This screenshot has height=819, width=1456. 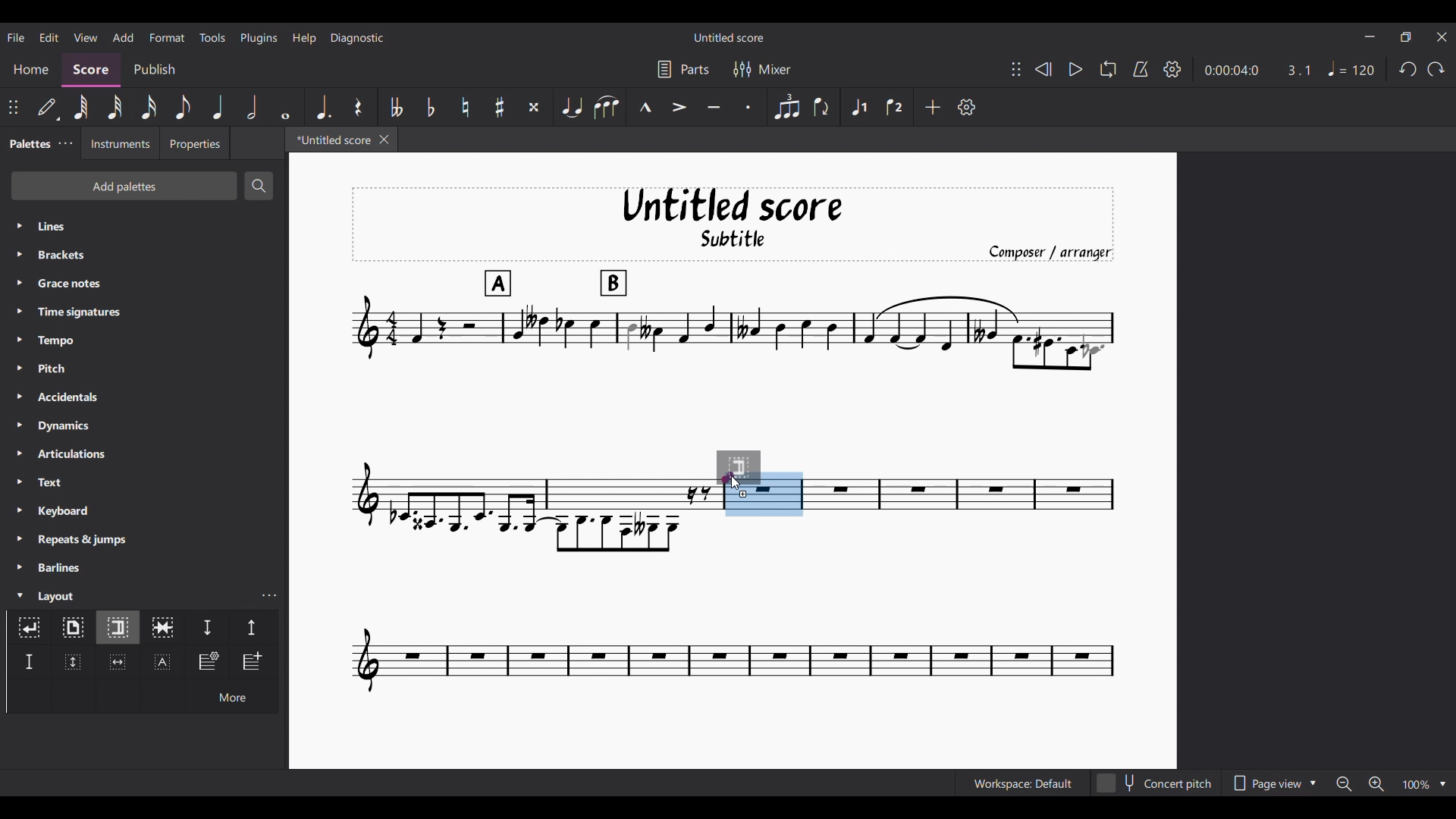 What do you see at coordinates (1376, 783) in the screenshot?
I see `Zoom in` at bounding box center [1376, 783].